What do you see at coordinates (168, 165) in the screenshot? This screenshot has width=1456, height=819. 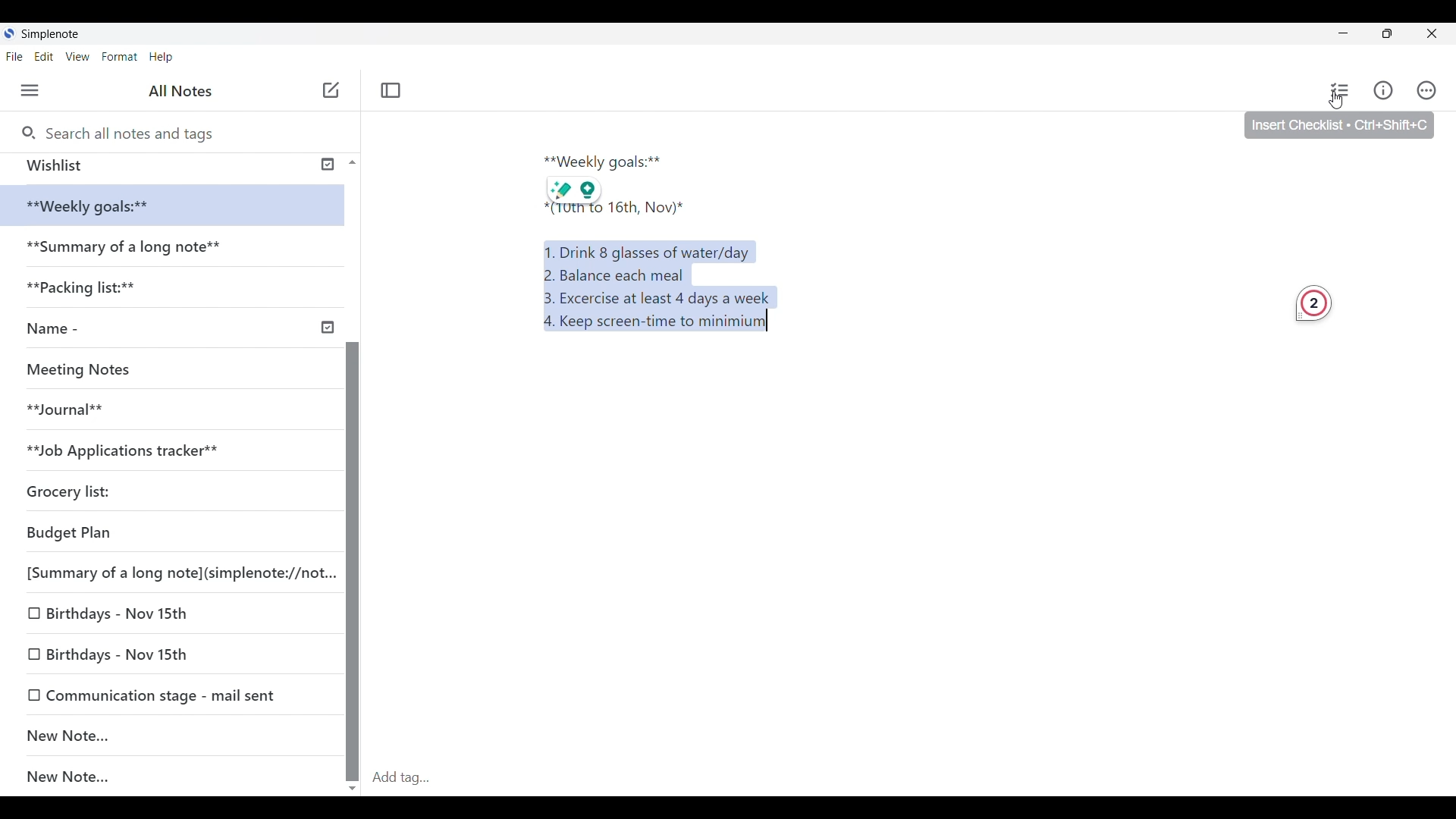 I see `Wishlist` at bounding box center [168, 165].